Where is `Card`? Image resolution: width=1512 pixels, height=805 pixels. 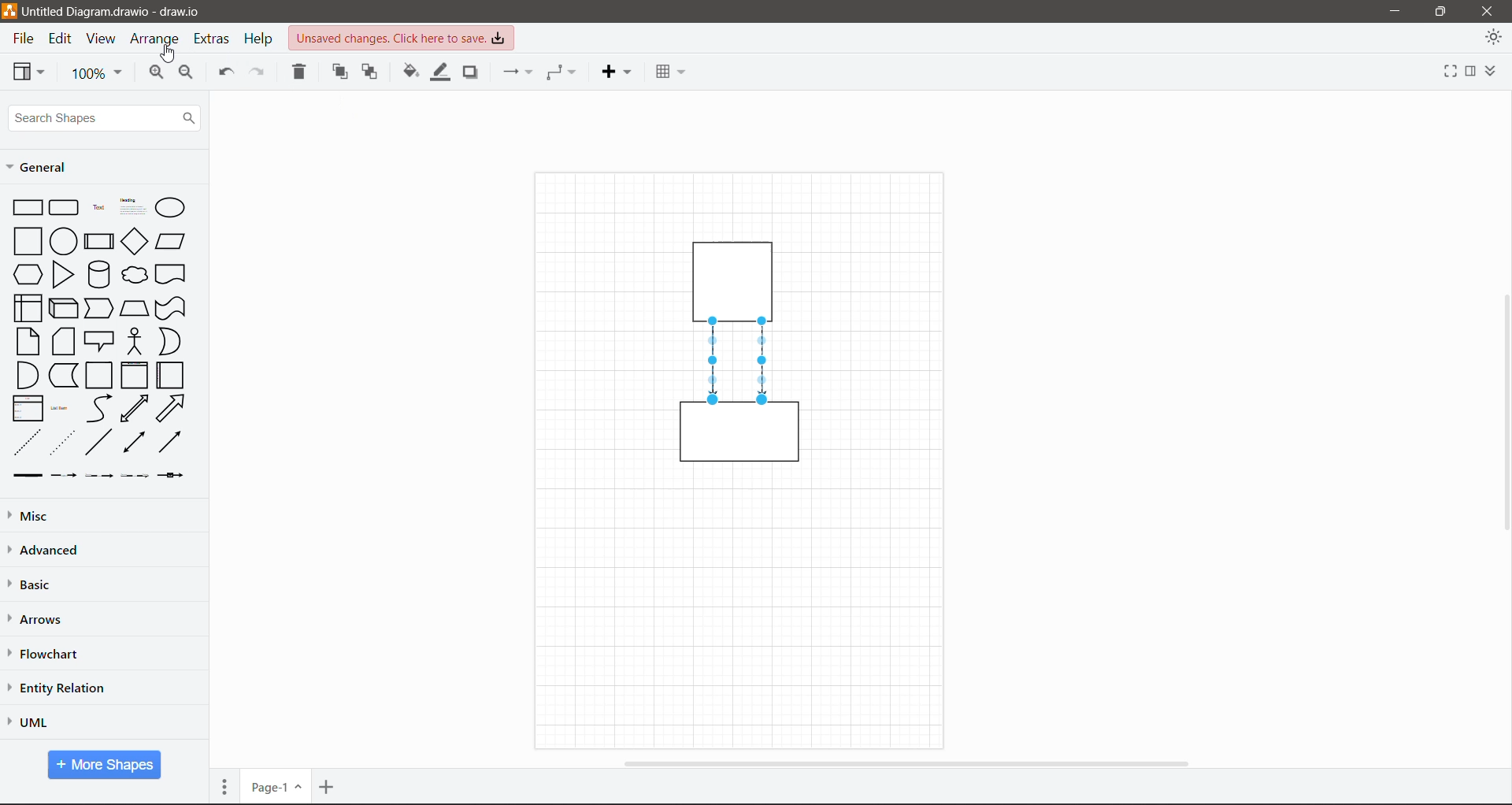
Card is located at coordinates (63, 341).